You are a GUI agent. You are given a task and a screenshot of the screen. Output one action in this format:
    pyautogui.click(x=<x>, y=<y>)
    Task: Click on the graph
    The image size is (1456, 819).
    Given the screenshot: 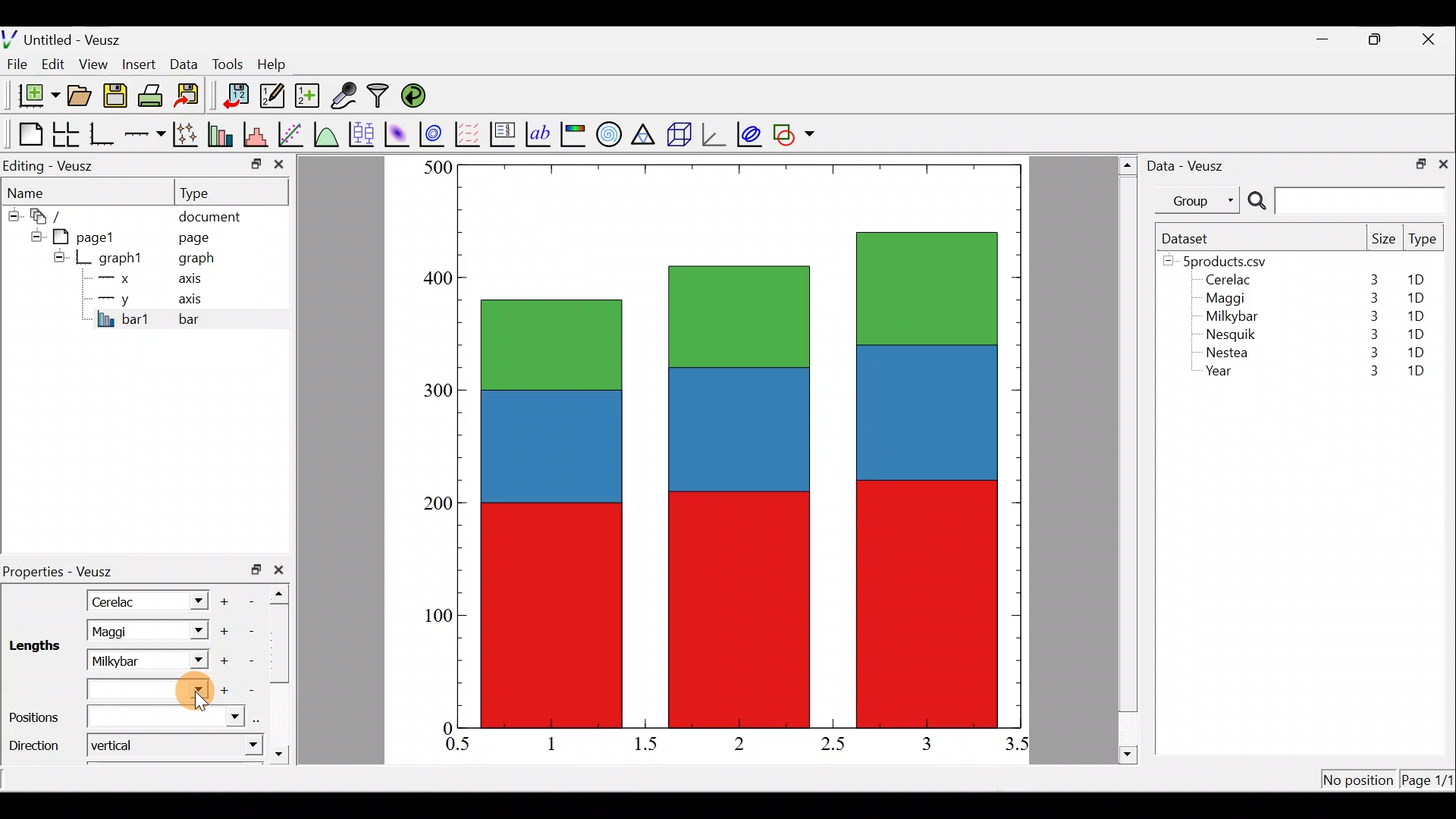 What is the action you would take?
    pyautogui.click(x=196, y=260)
    